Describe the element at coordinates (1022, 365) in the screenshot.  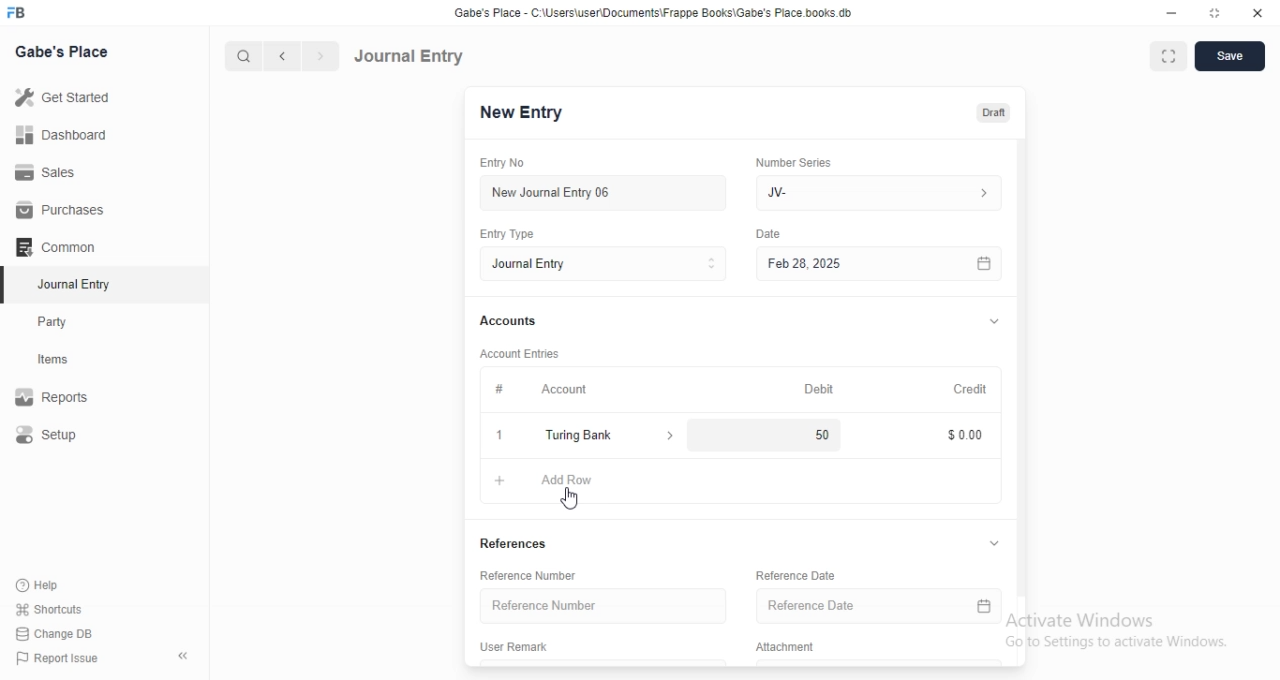
I see `vertical scrollbar` at that location.